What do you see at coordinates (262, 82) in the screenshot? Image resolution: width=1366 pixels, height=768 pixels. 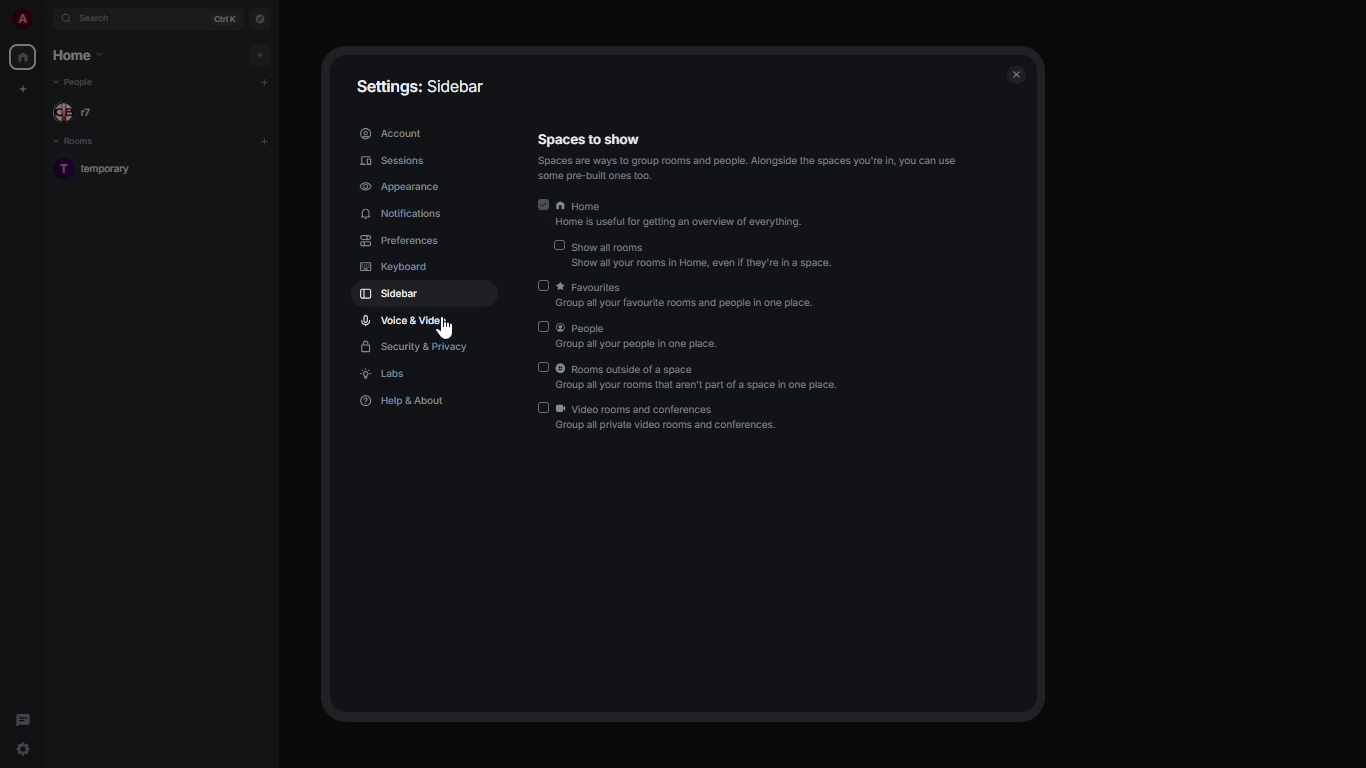 I see `add` at bounding box center [262, 82].